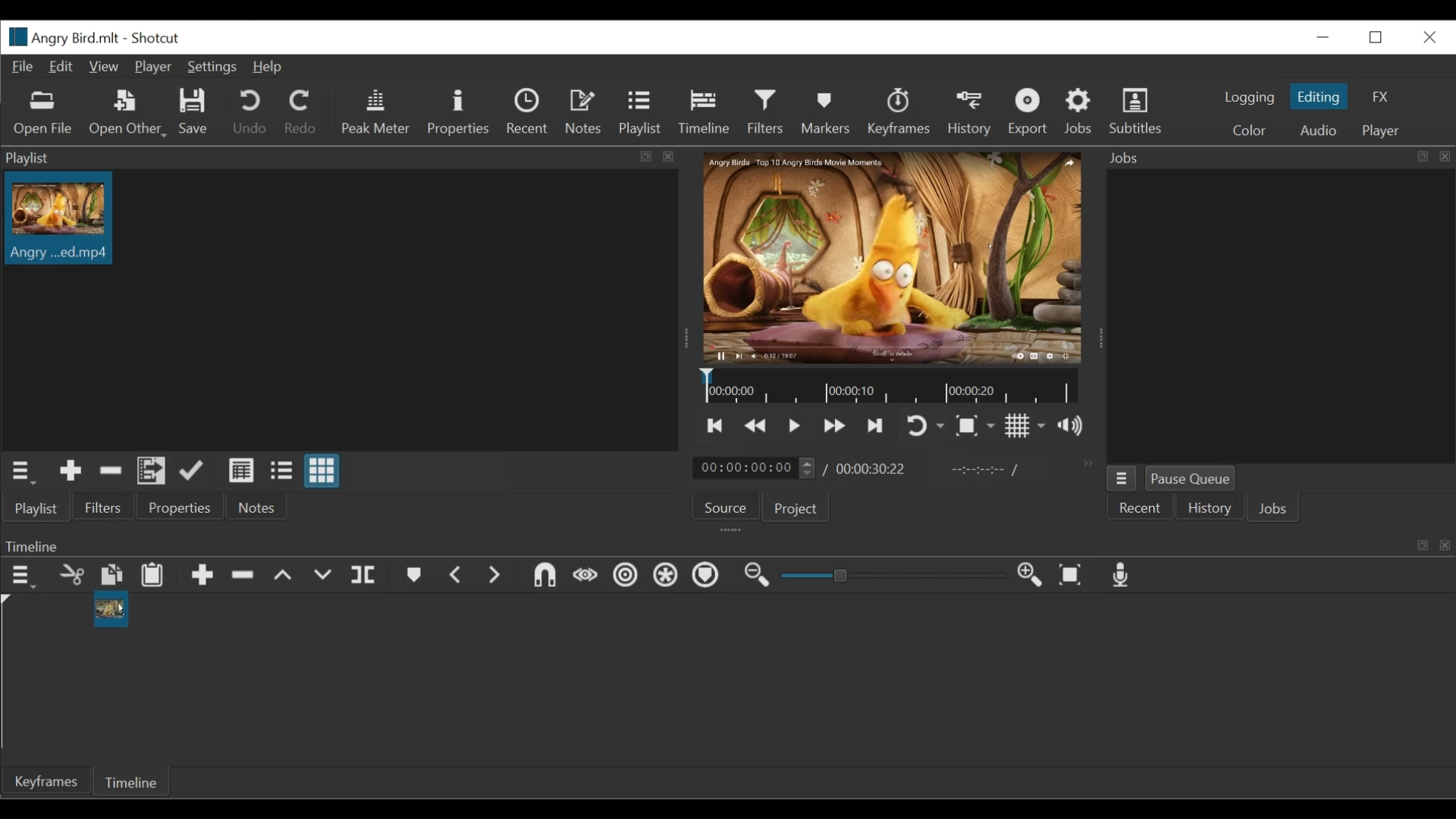 The width and height of the screenshot is (1456, 819). Describe the element at coordinates (1138, 109) in the screenshot. I see `Subtitles` at that location.